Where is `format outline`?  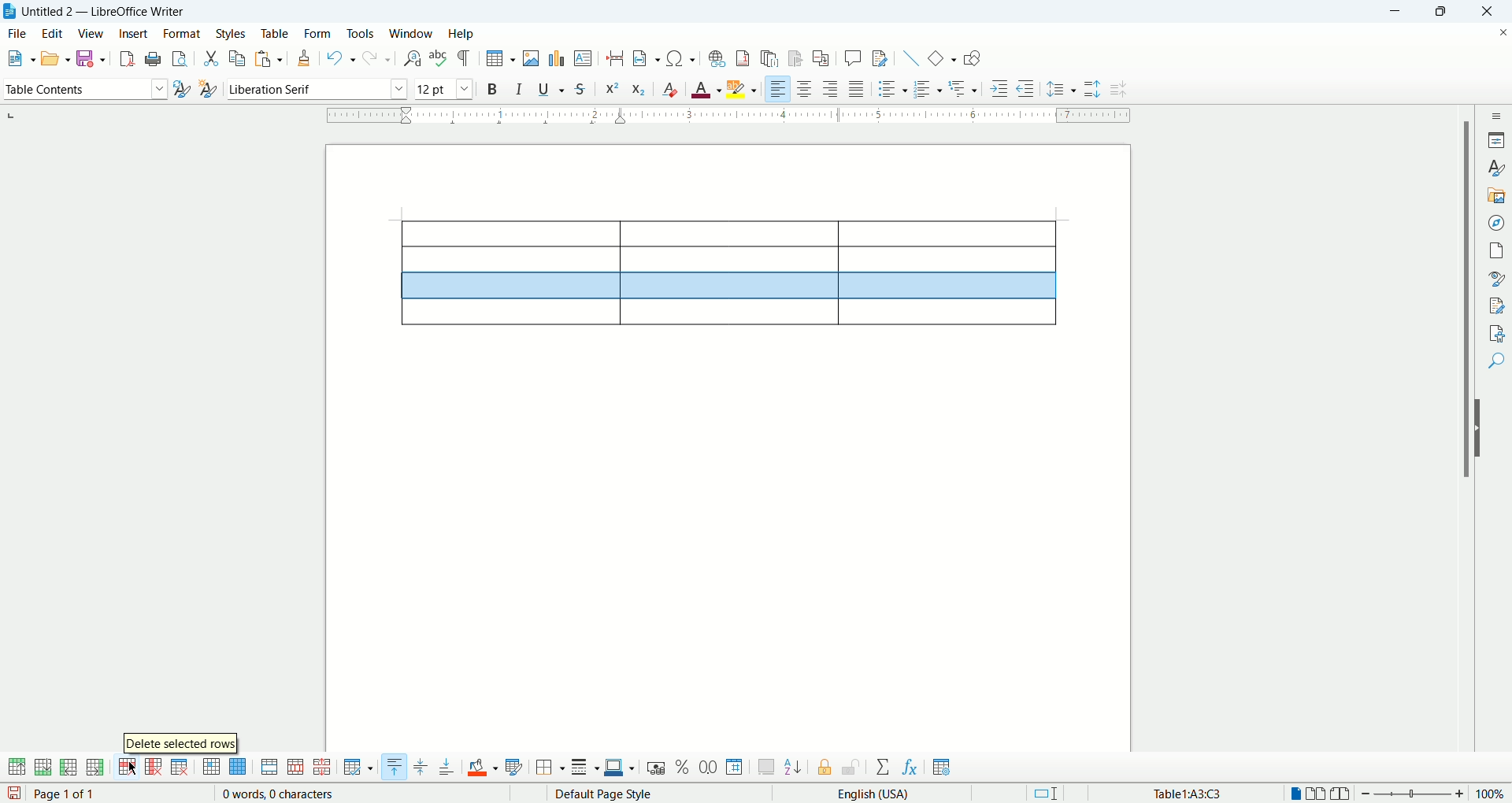 format outline is located at coordinates (963, 88).